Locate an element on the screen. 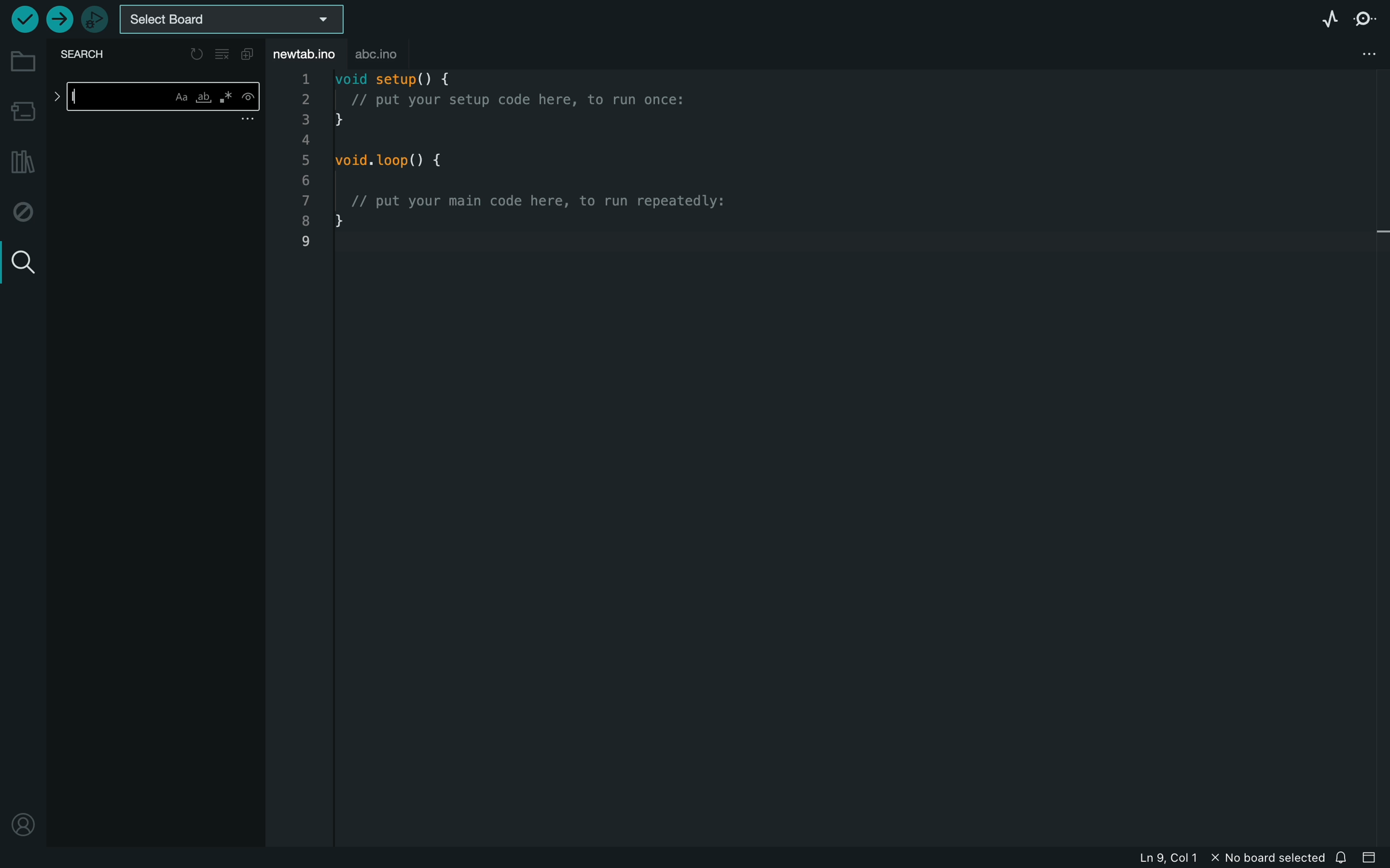  board manager is located at coordinates (22, 109).